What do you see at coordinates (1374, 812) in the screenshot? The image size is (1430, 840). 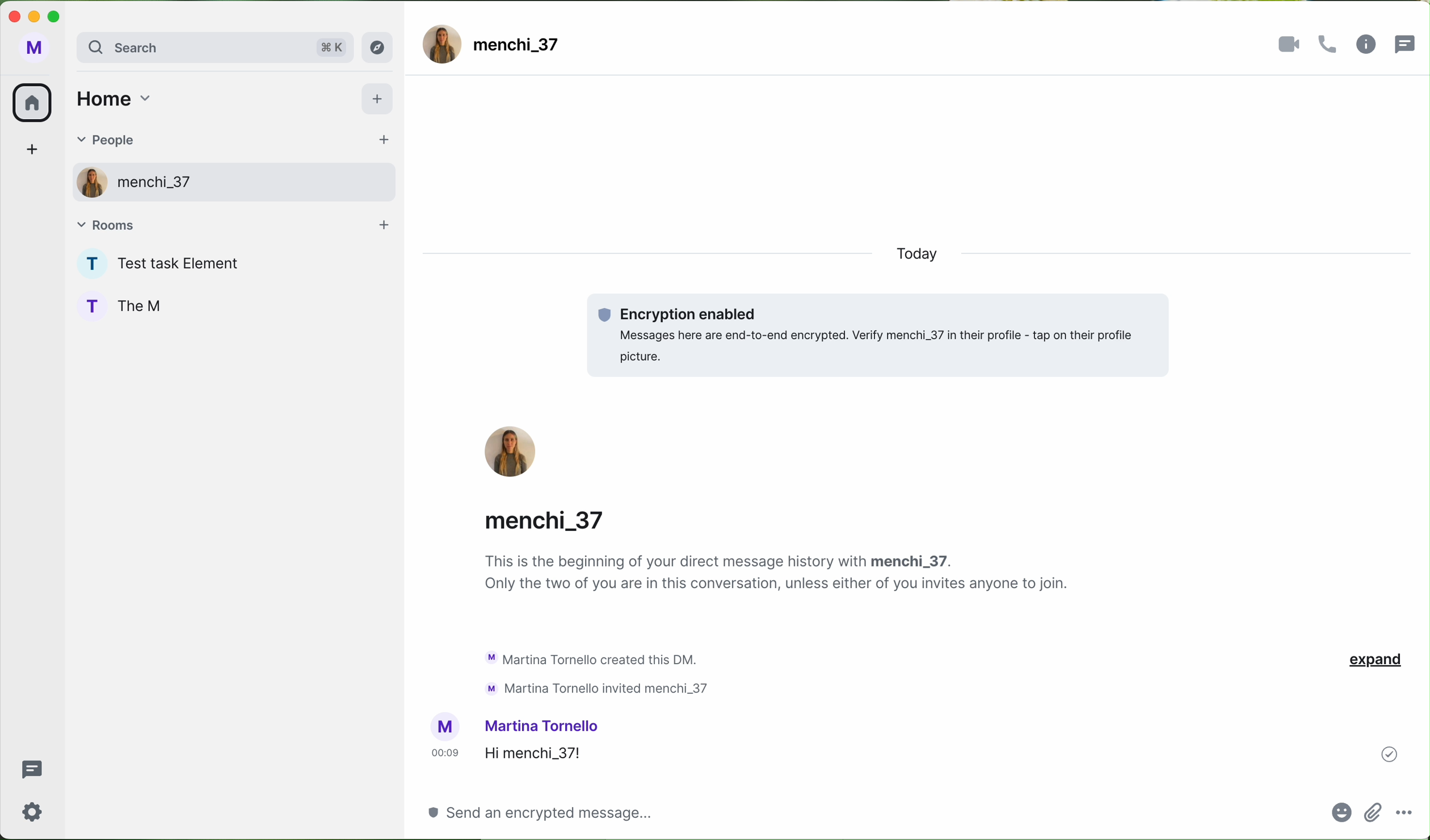 I see `attach file` at bounding box center [1374, 812].